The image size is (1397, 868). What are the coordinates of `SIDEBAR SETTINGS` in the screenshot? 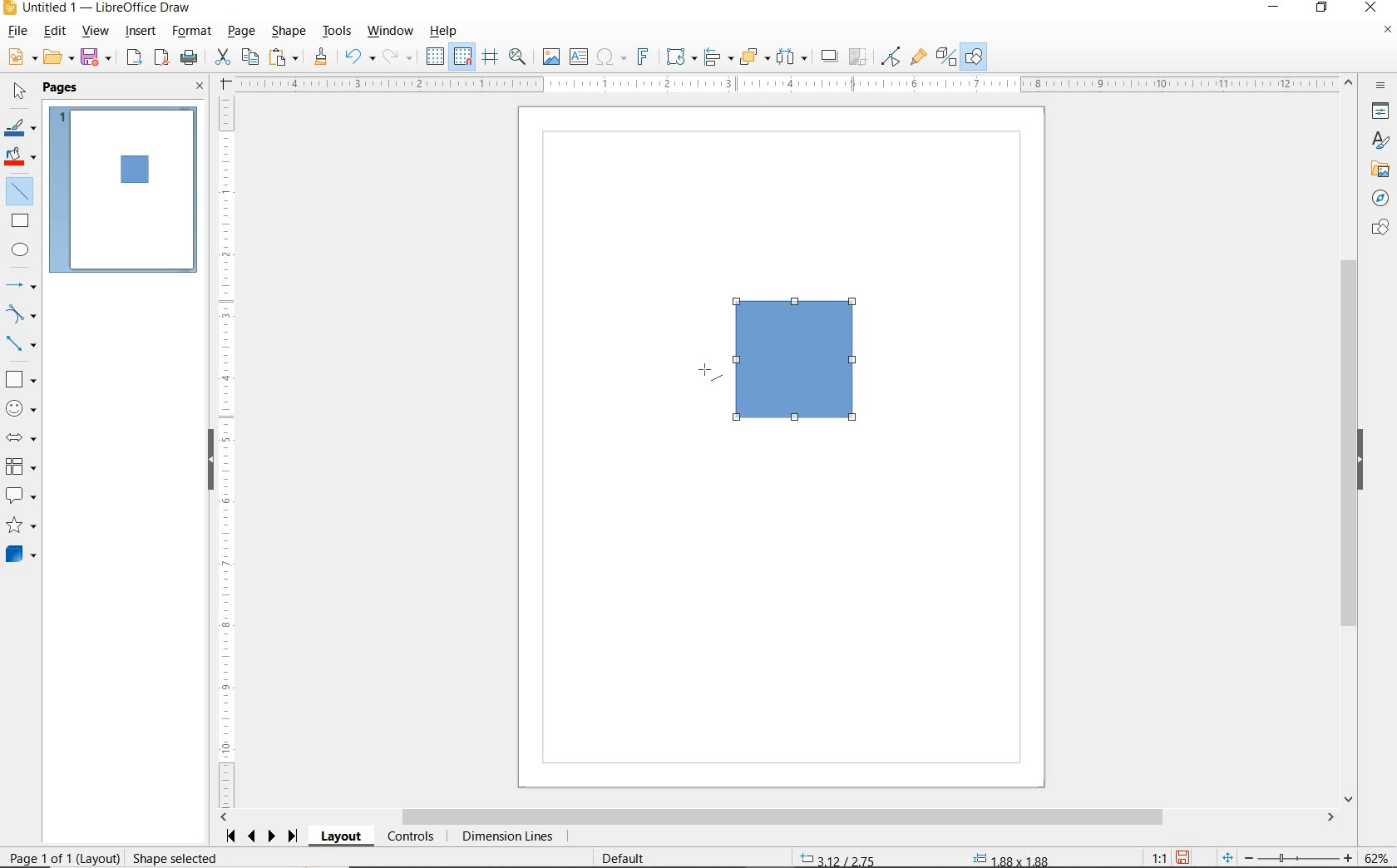 It's located at (1382, 86).